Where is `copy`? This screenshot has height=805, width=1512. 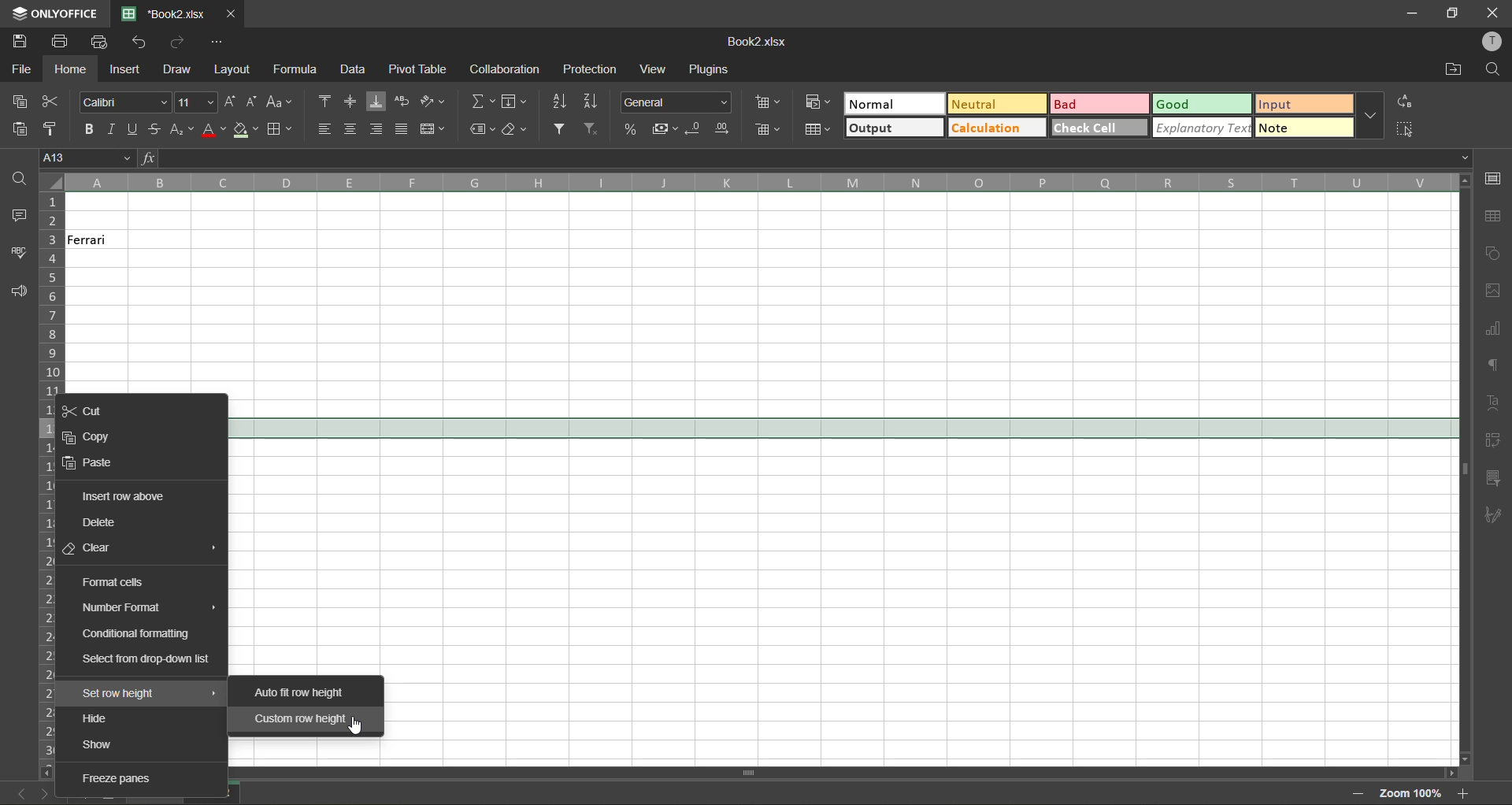
copy is located at coordinates (24, 103).